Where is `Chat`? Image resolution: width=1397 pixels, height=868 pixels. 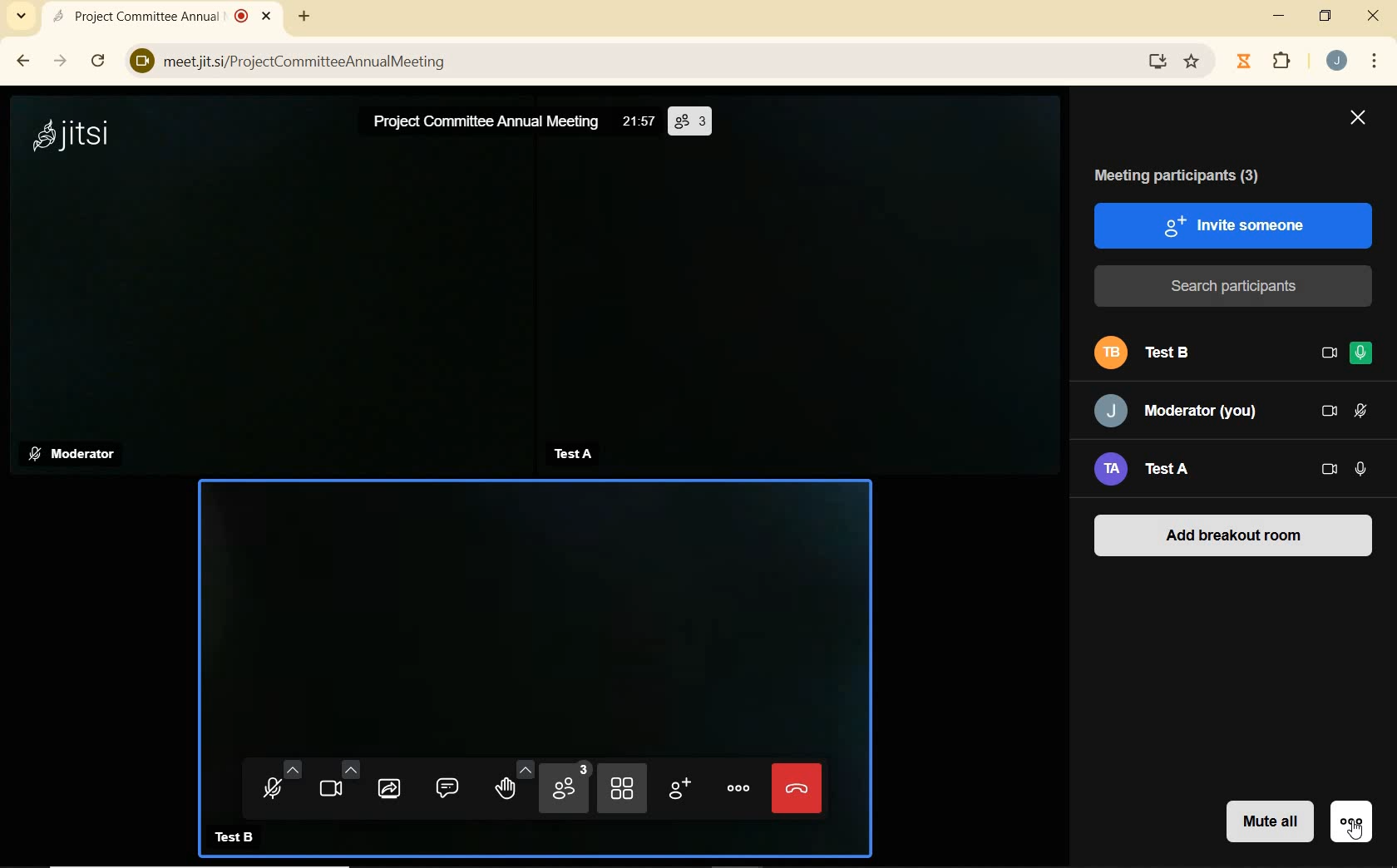
Chat is located at coordinates (452, 787).